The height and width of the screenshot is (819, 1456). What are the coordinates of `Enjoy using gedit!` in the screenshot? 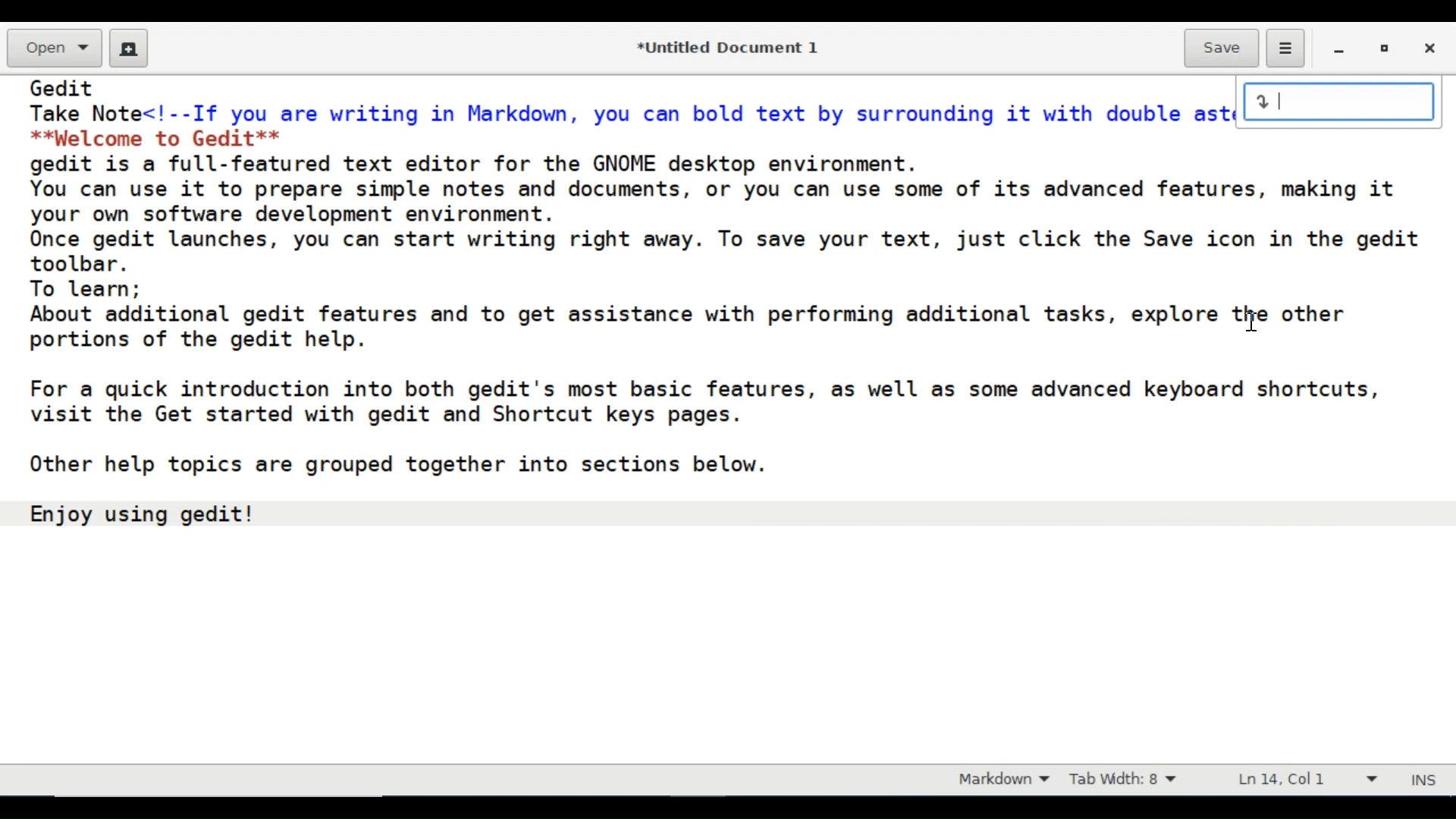 It's located at (143, 513).